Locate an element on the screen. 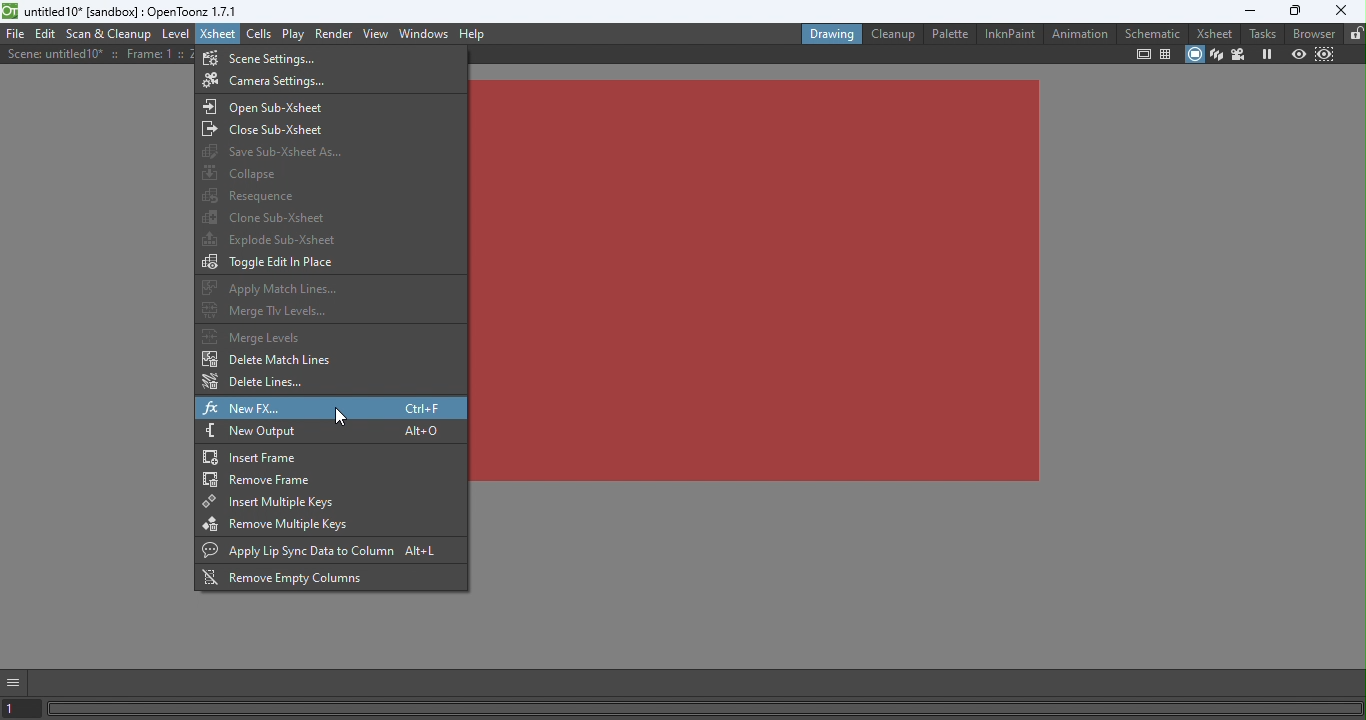  View is located at coordinates (378, 32).